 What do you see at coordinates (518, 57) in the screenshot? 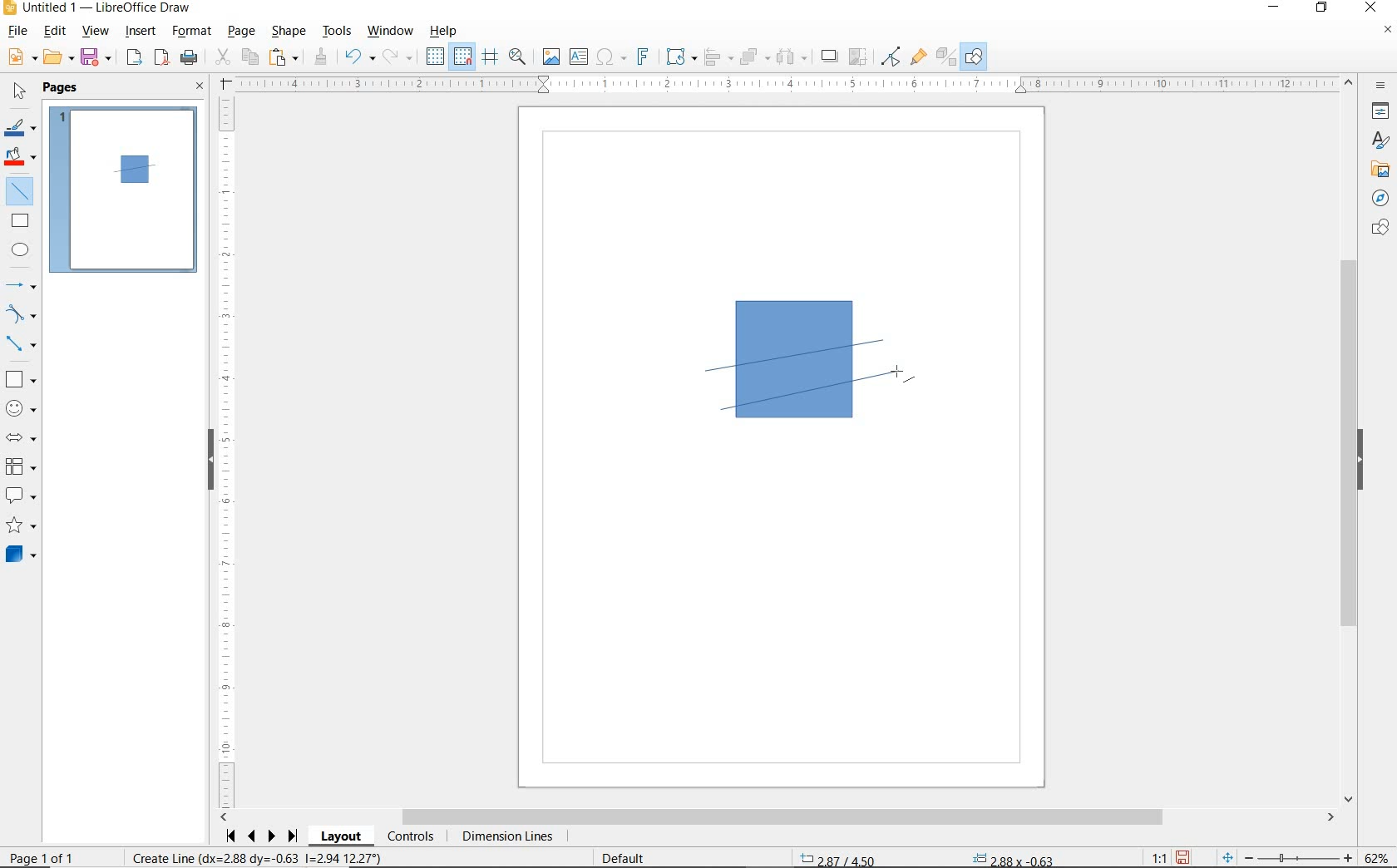
I see `ZOOM & PAN` at bounding box center [518, 57].